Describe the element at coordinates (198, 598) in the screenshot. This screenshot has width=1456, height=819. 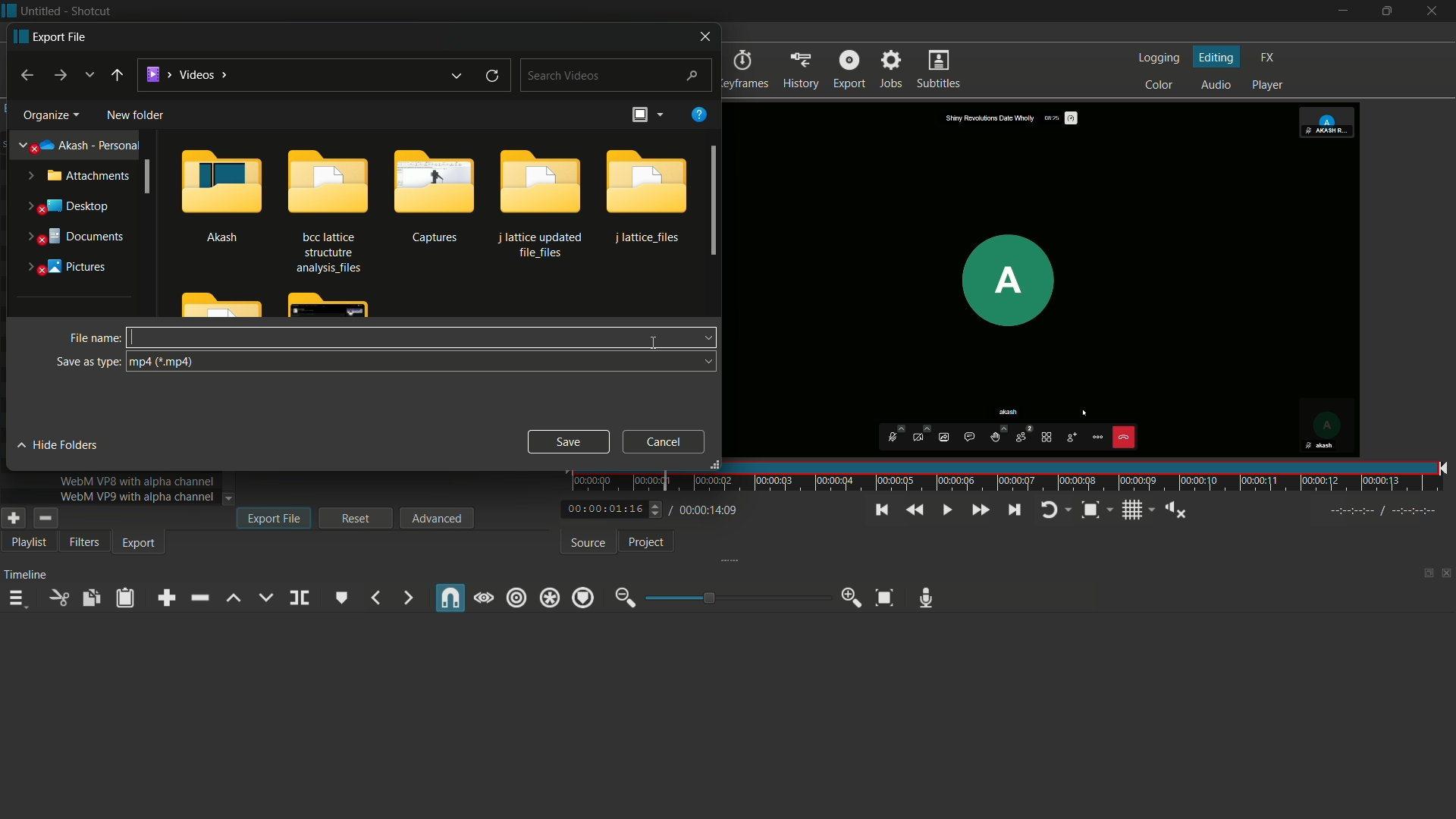
I see `ripple delete` at that location.